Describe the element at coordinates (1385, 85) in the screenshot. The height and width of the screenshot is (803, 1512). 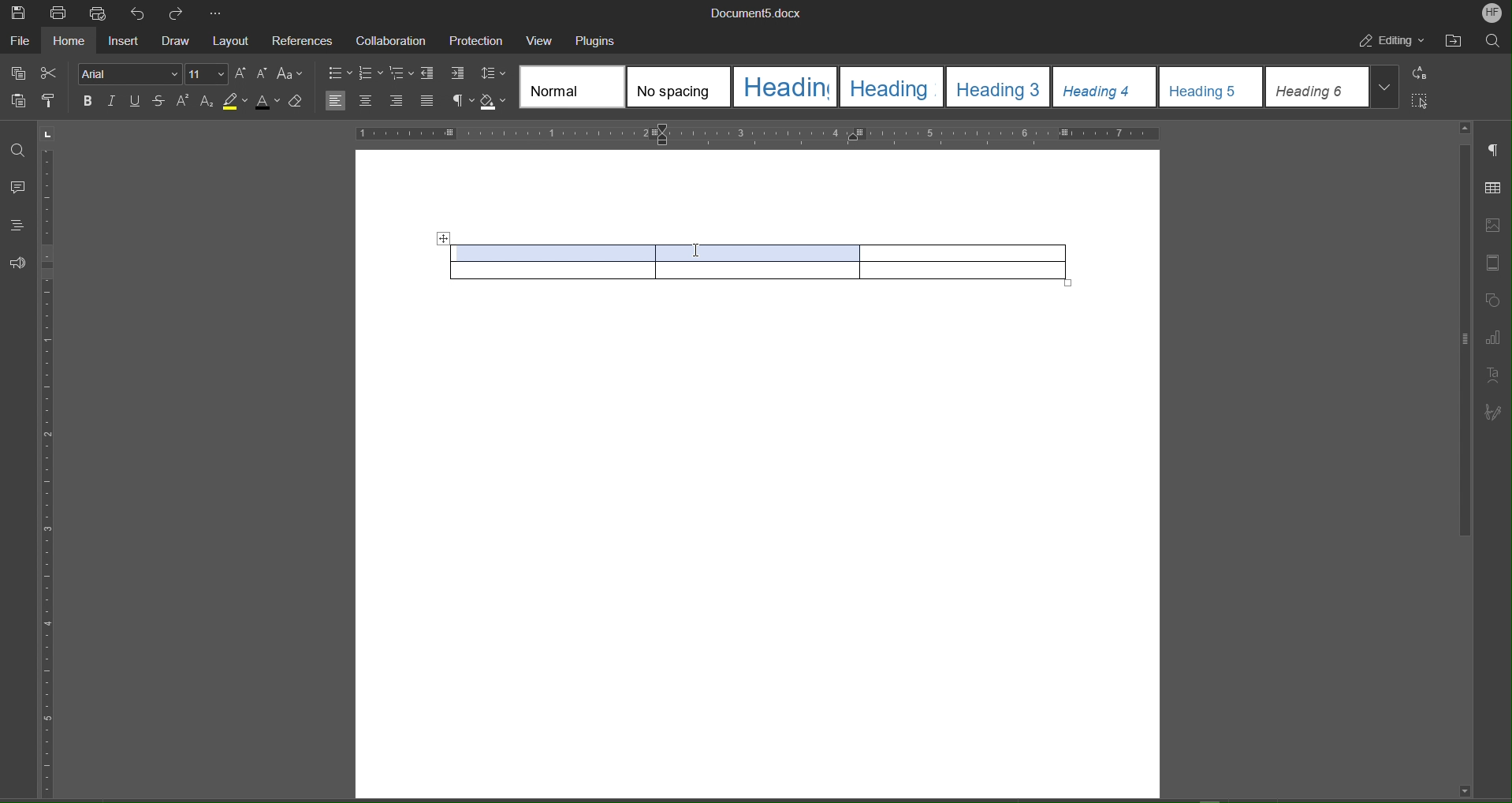
I see `More styles` at that location.